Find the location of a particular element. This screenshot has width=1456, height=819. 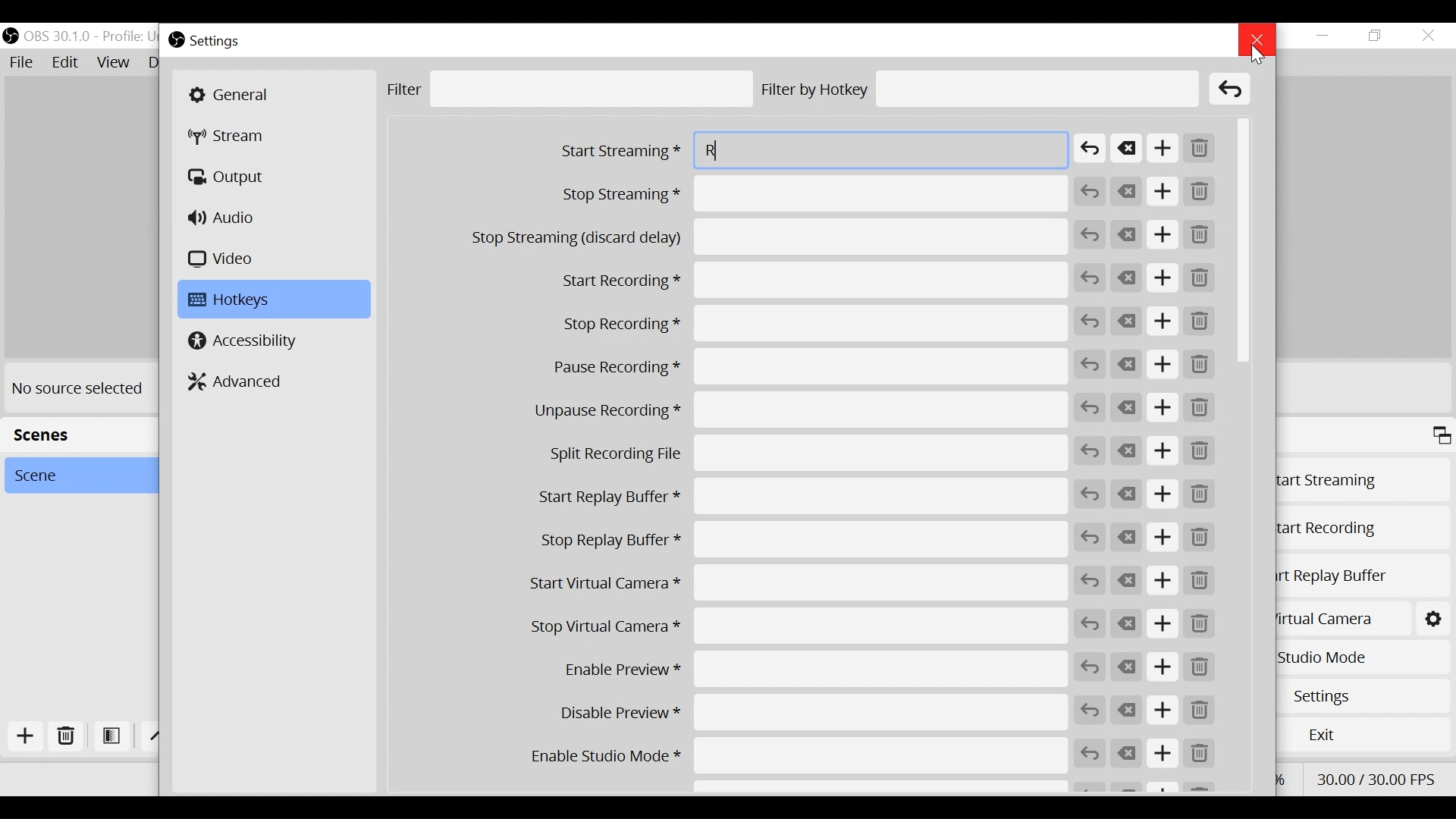

Start Virtual Camera is located at coordinates (1341, 617).